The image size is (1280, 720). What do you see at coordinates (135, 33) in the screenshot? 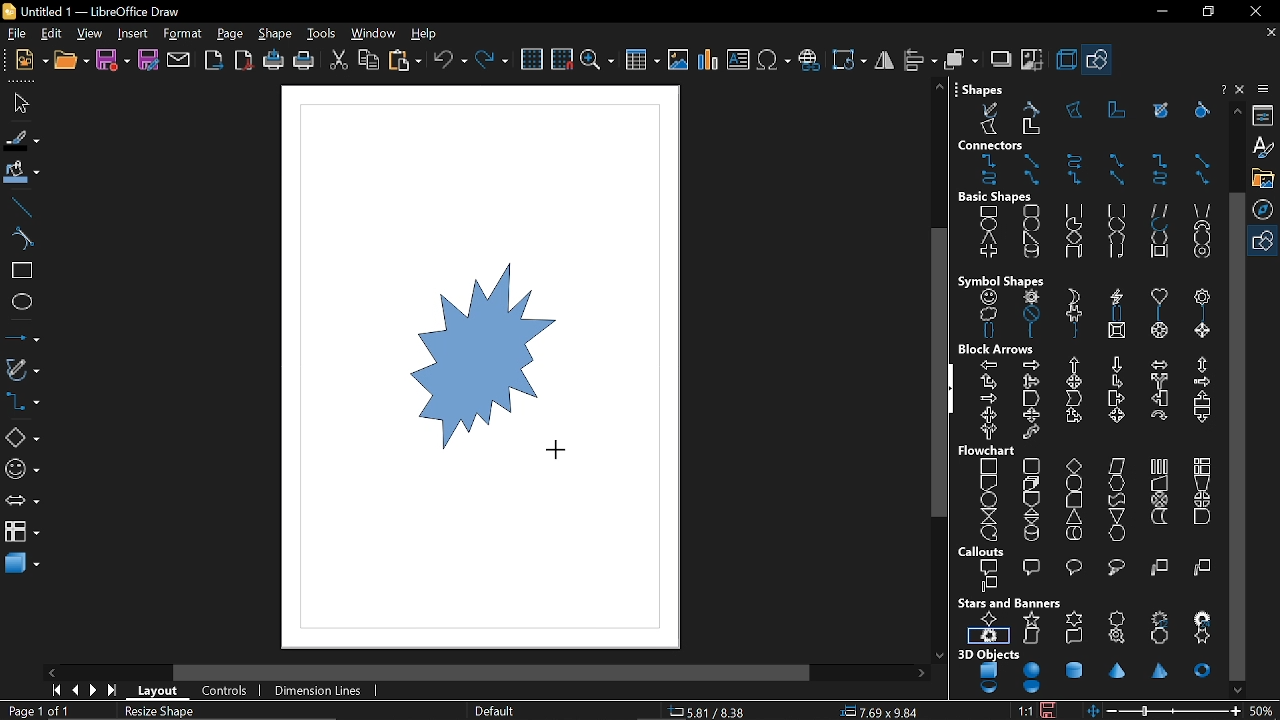
I see `insert` at bounding box center [135, 33].